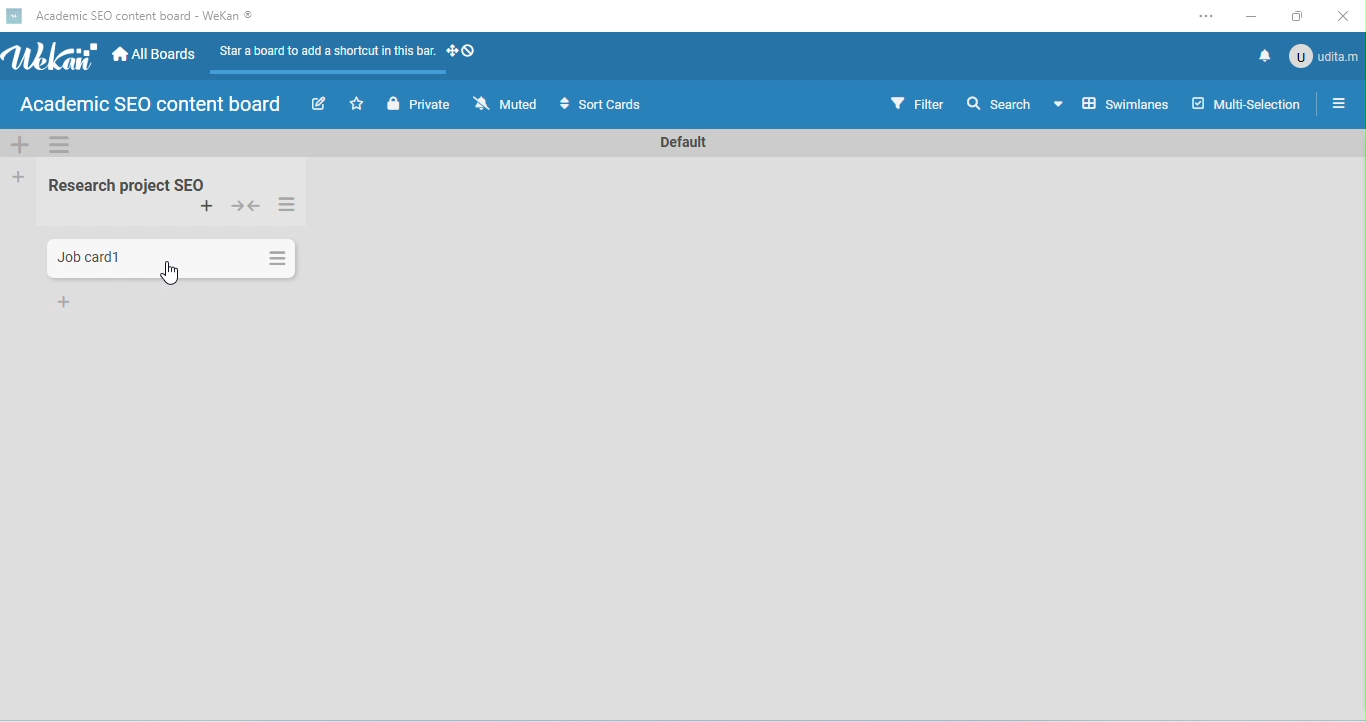 This screenshot has width=1366, height=722. Describe the element at coordinates (462, 50) in the screenshot. I see `show-desktop-drag-handles` at that location.